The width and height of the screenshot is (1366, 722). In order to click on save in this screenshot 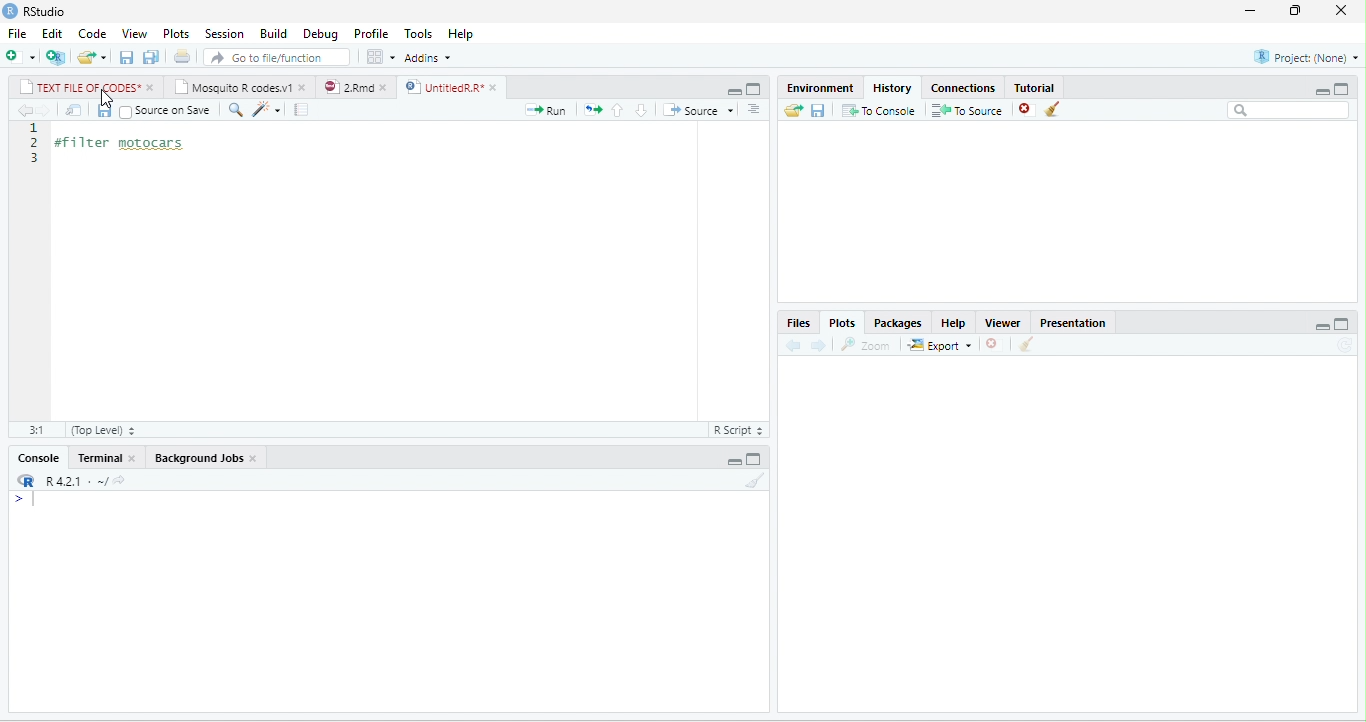, I will do `click(817, 111)`.